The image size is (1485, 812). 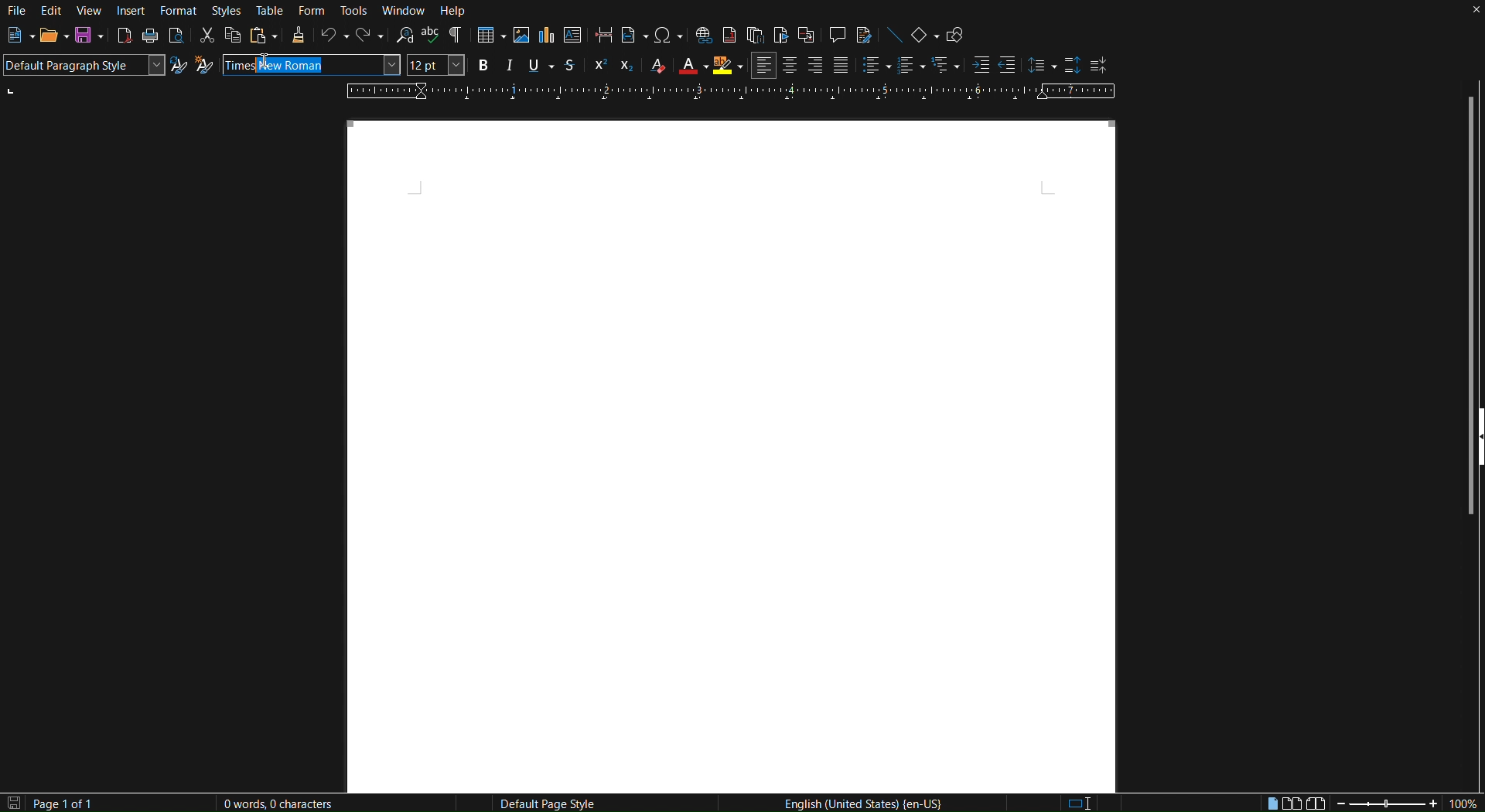 I want to click on Redo, so click(x=367, y=38).